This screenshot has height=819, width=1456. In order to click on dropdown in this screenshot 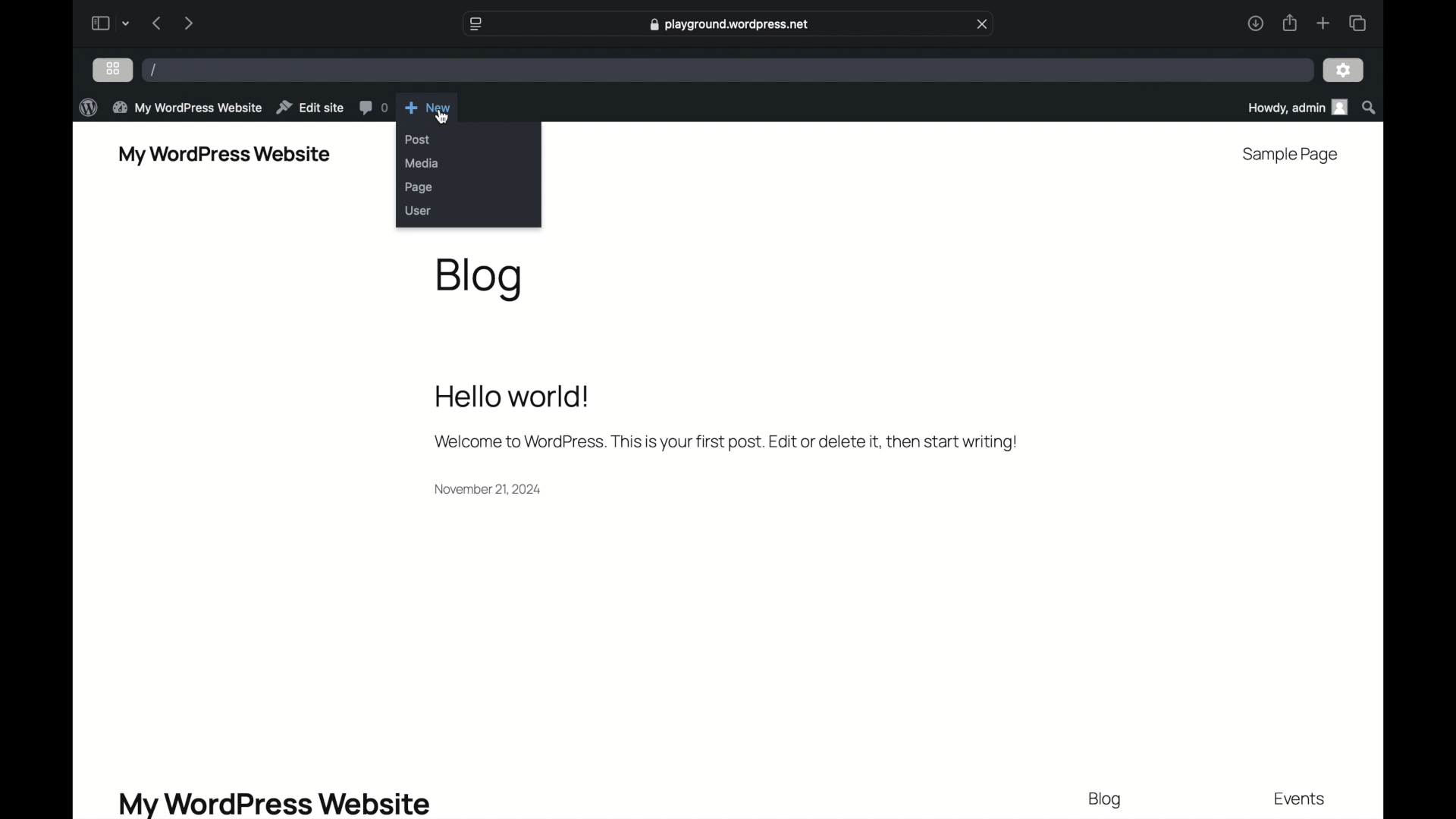, I will do `click(127, 24)`.